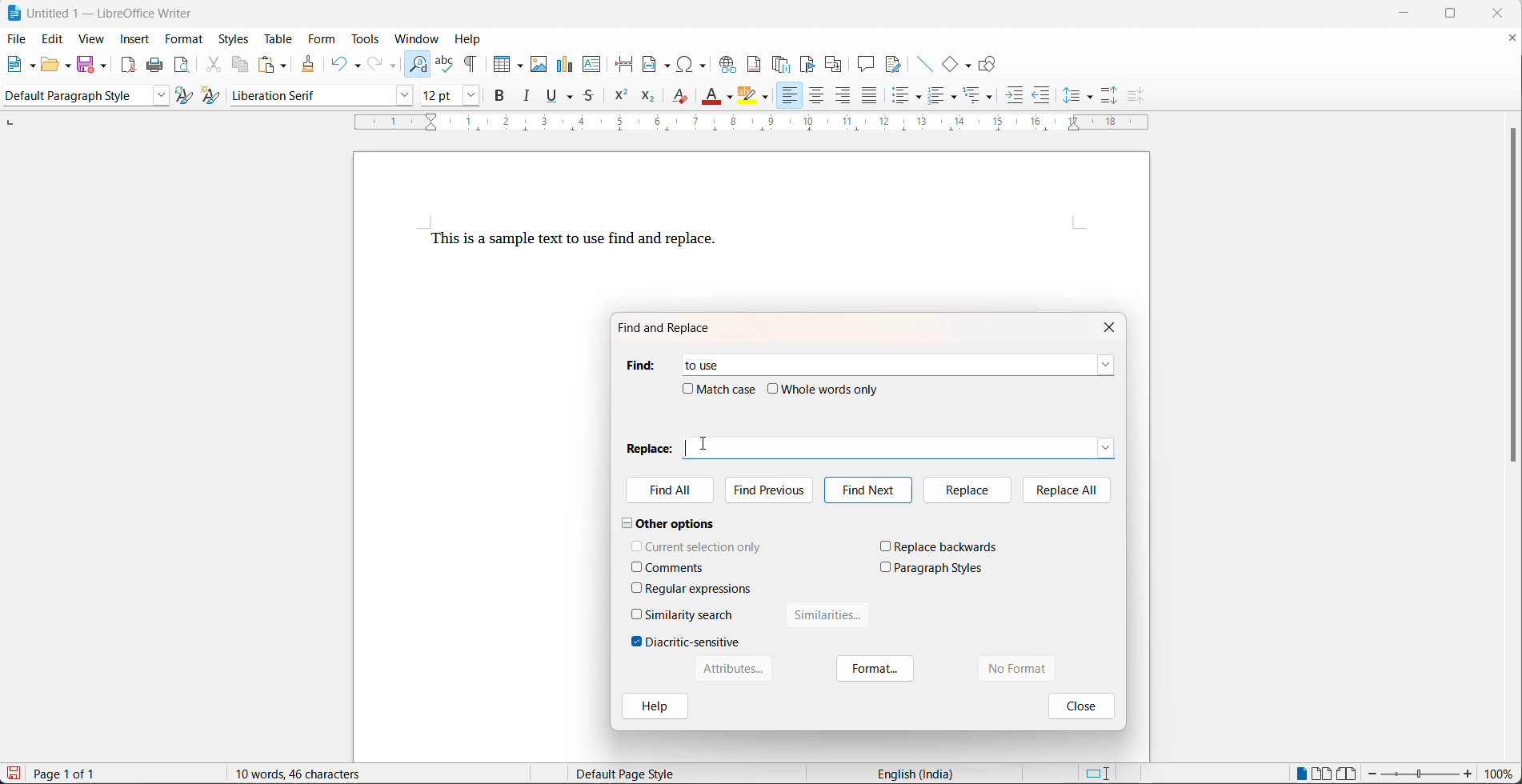  Describe the element at coordinates (866, 64) in the screenshot. I see `insert comment` at that location.